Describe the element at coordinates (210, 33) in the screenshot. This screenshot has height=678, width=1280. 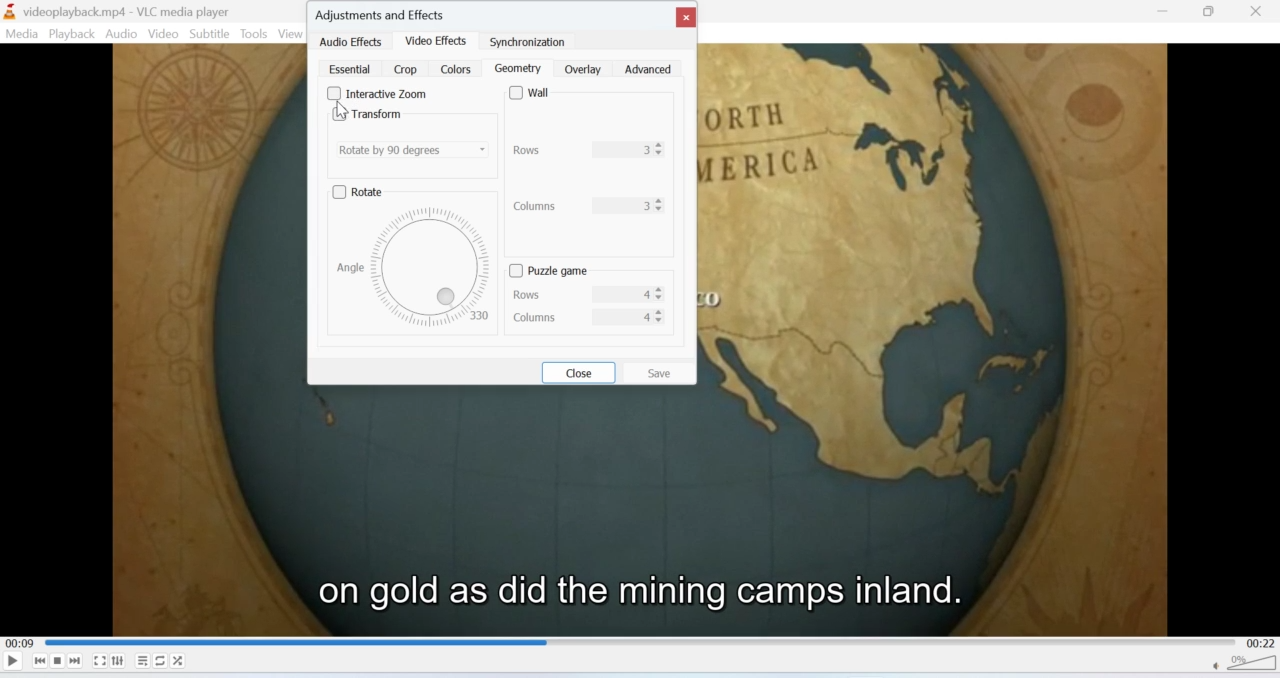
I see `Subtitle` at that location.